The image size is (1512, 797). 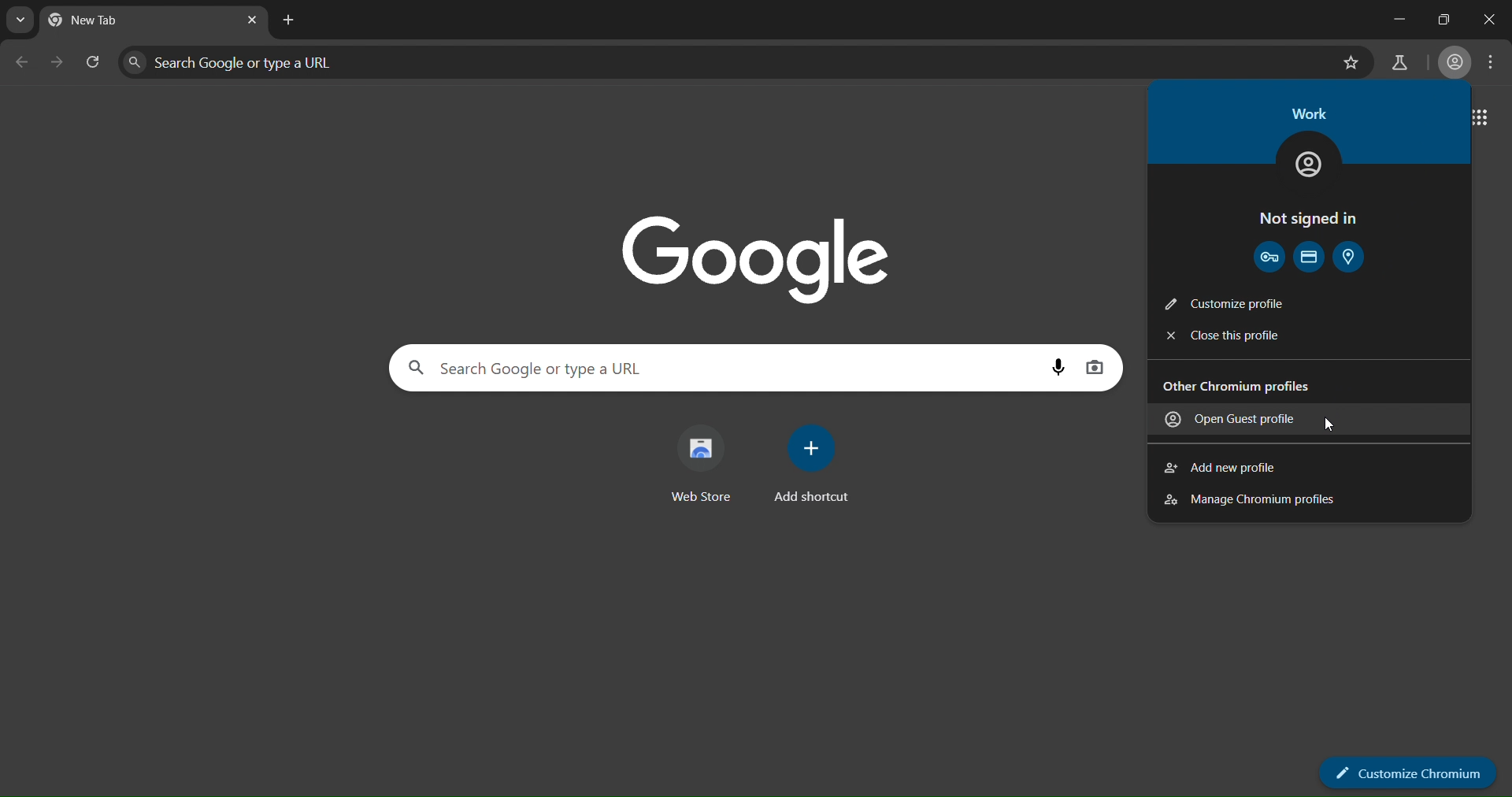 I want to click on not signed in, so click(x=1317, y=217).